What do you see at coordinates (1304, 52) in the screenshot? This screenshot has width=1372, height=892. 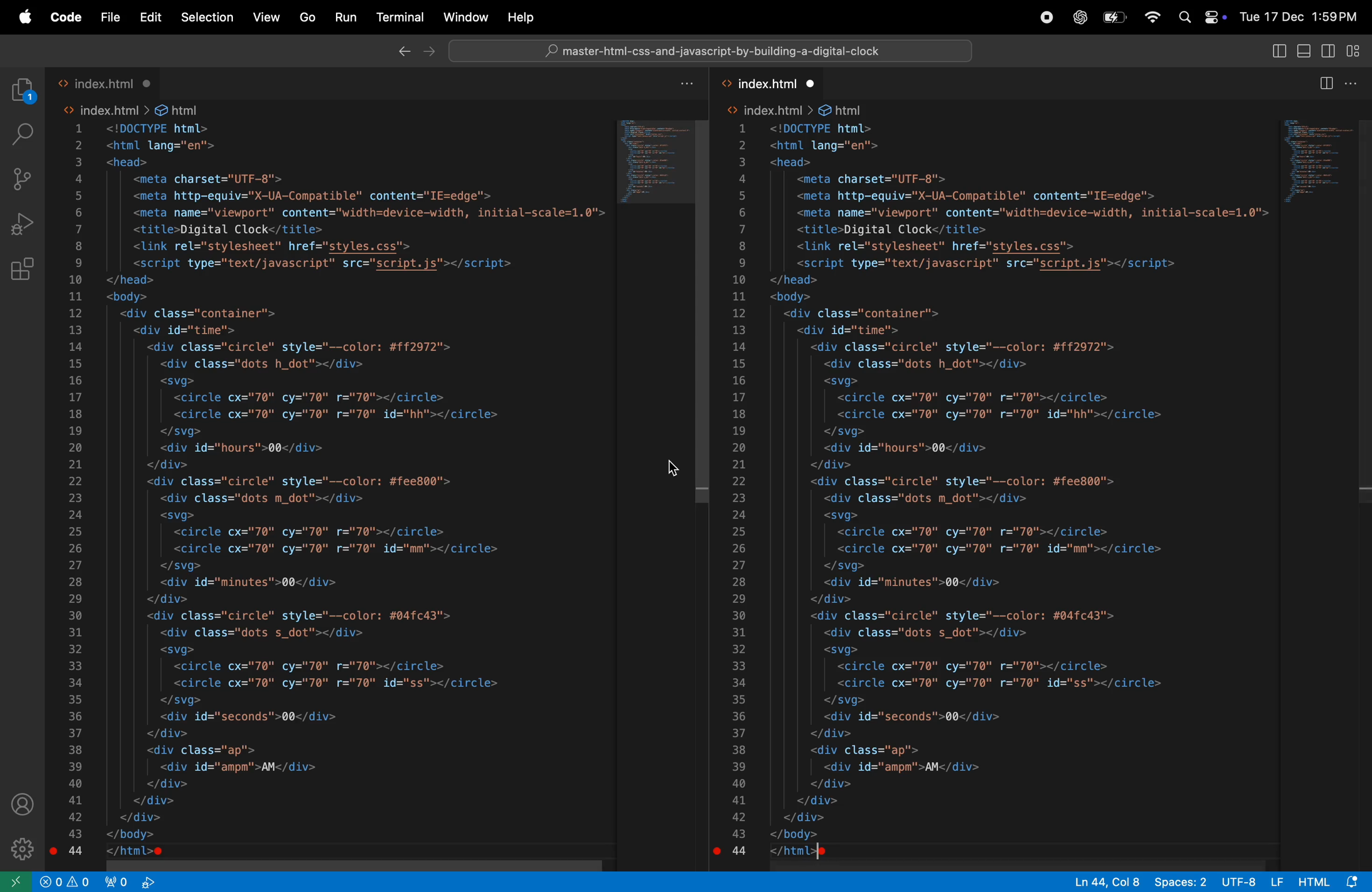 I see `toggle primary panel` at bounding box center [1304, 52].